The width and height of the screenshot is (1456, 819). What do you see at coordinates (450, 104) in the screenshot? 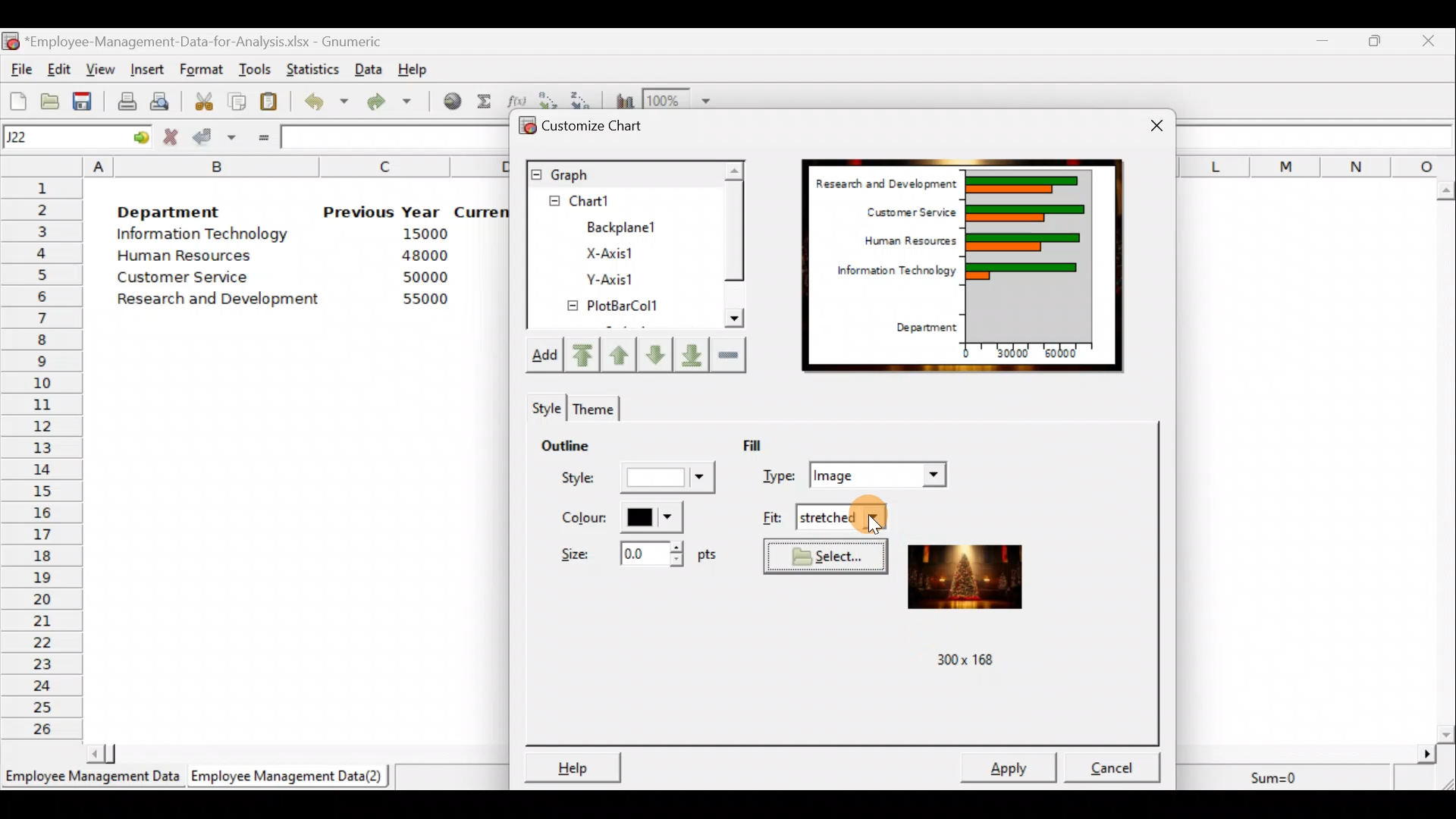
I see `Insert hyperlink` at bounding box center [450, 104].